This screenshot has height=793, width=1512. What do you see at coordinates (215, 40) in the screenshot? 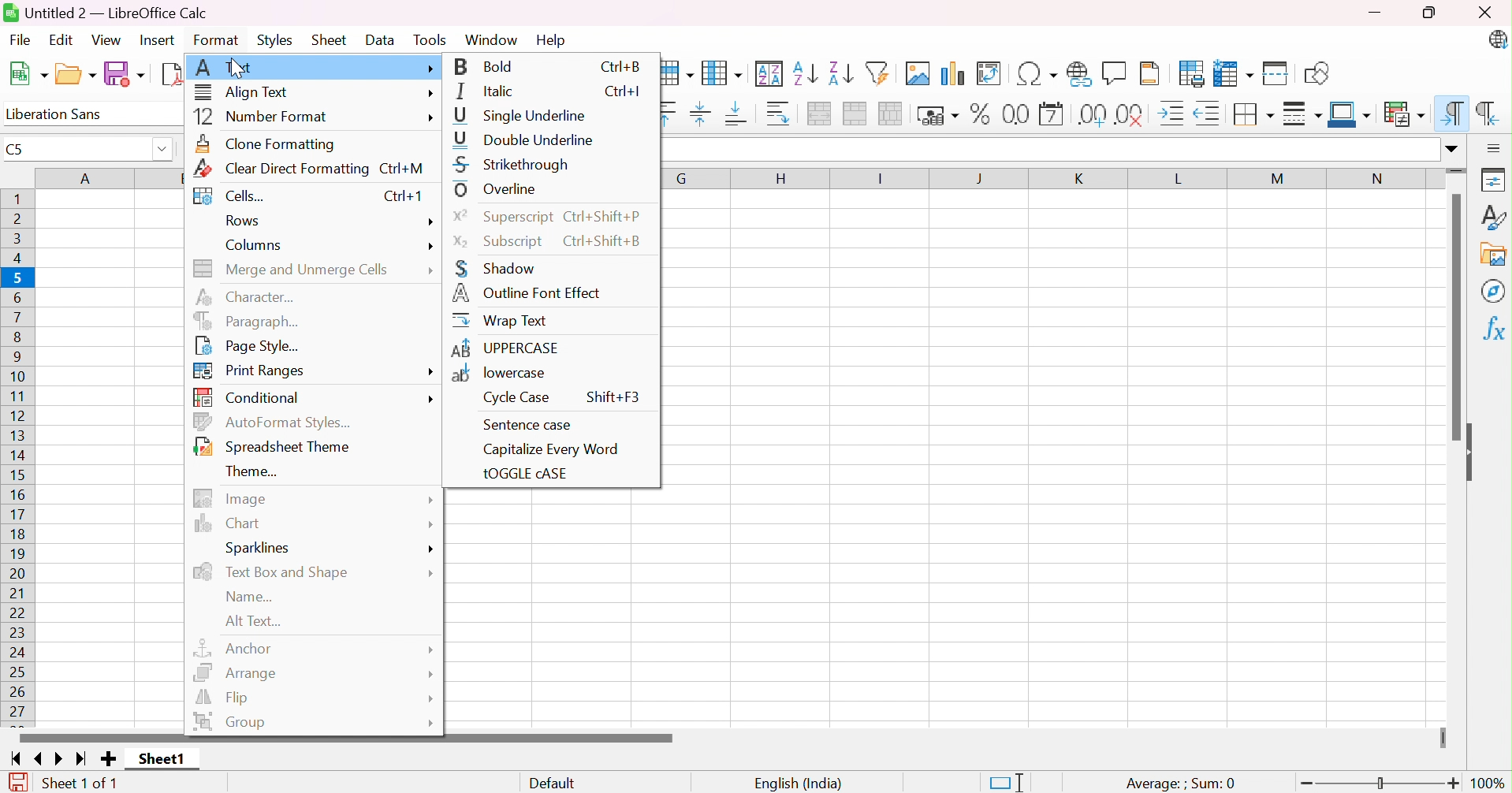
I see `Format` at bounding box center [215, 40].